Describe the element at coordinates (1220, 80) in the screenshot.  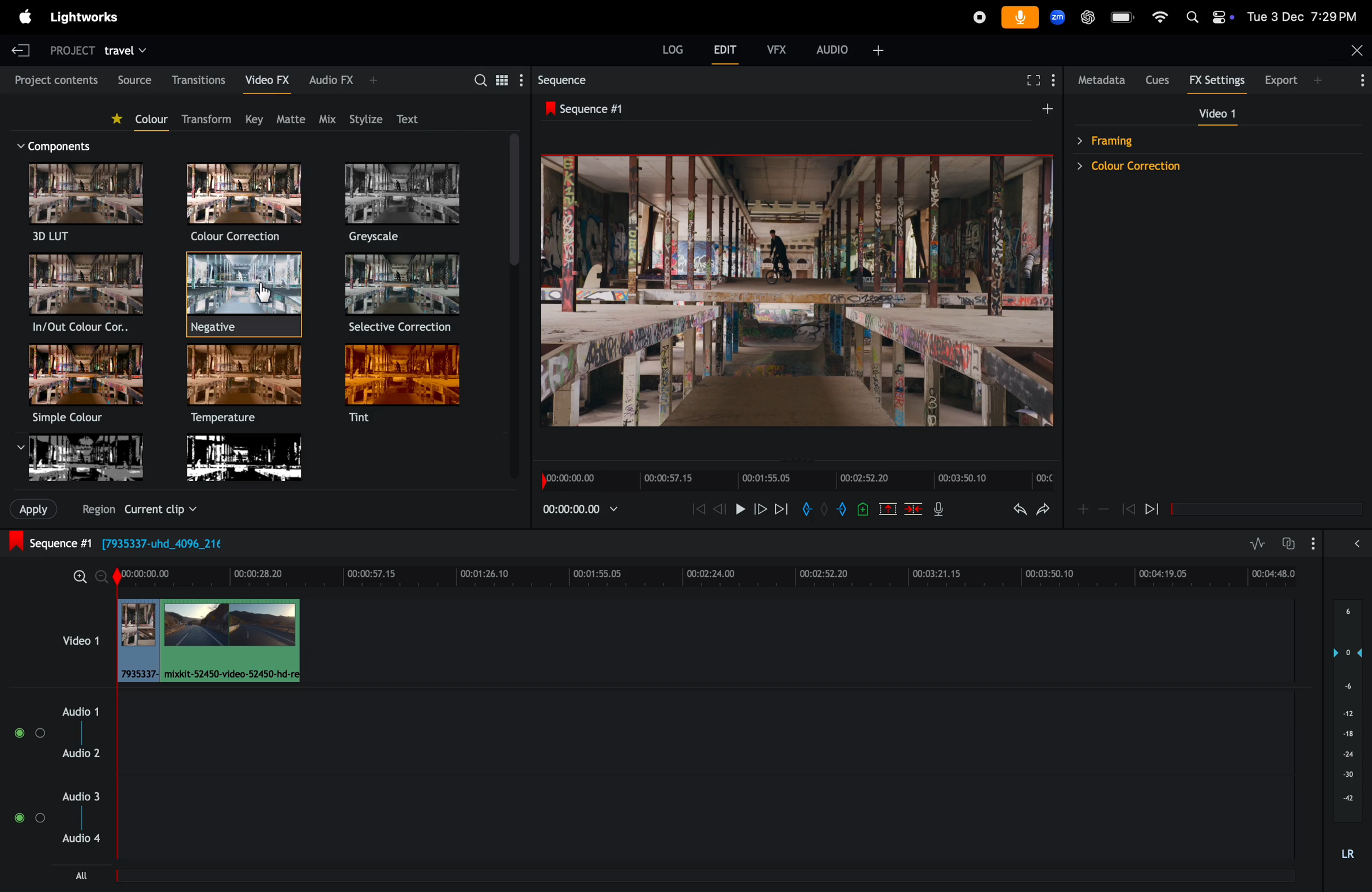
I see `Fx settings` at that location.